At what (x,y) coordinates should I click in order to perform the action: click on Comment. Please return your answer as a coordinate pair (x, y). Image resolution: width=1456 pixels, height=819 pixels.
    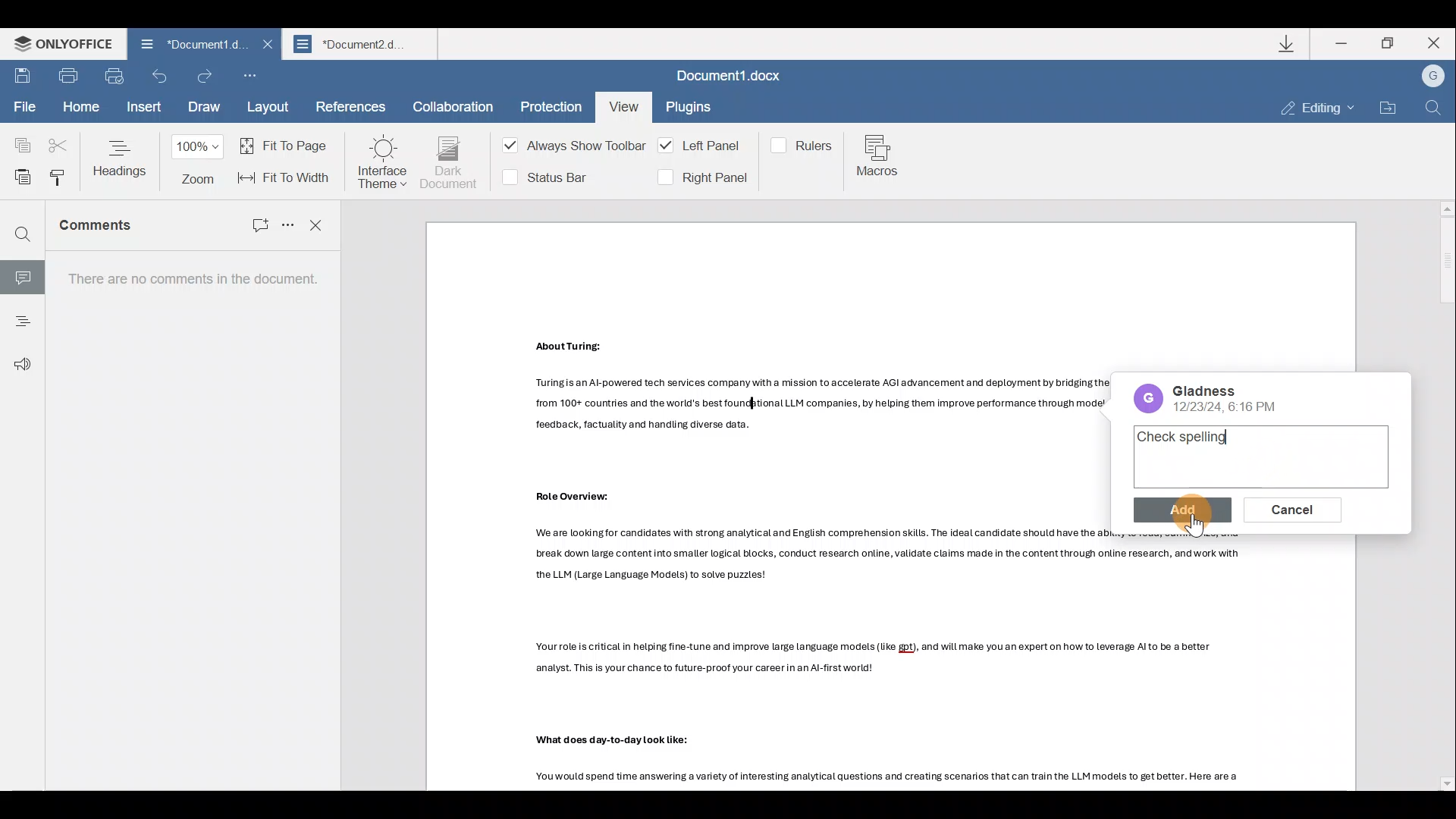
    Looking at the image, I should click on (22, 275).